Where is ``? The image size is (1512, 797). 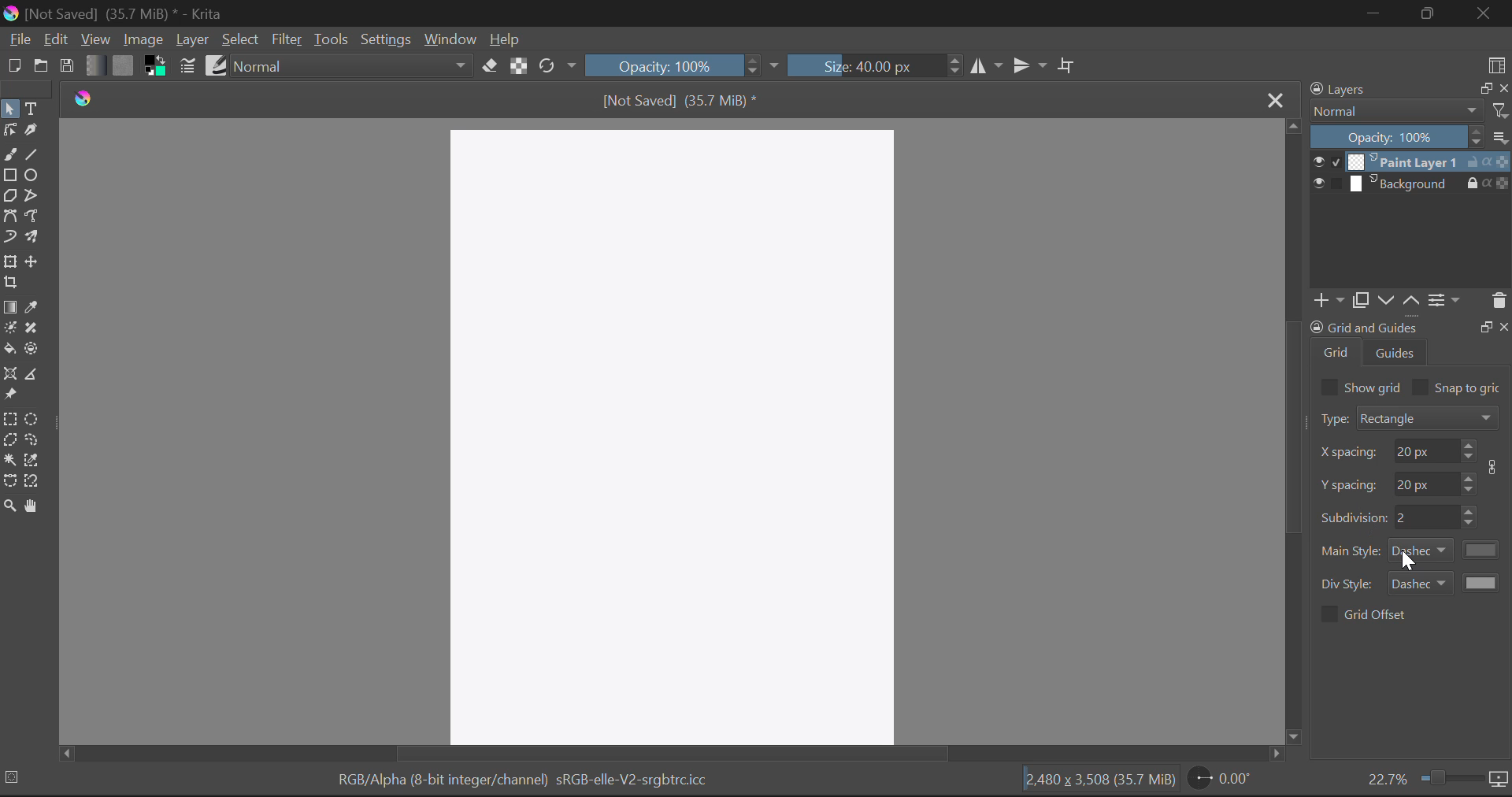
 is located at coordinates (1485, 325).